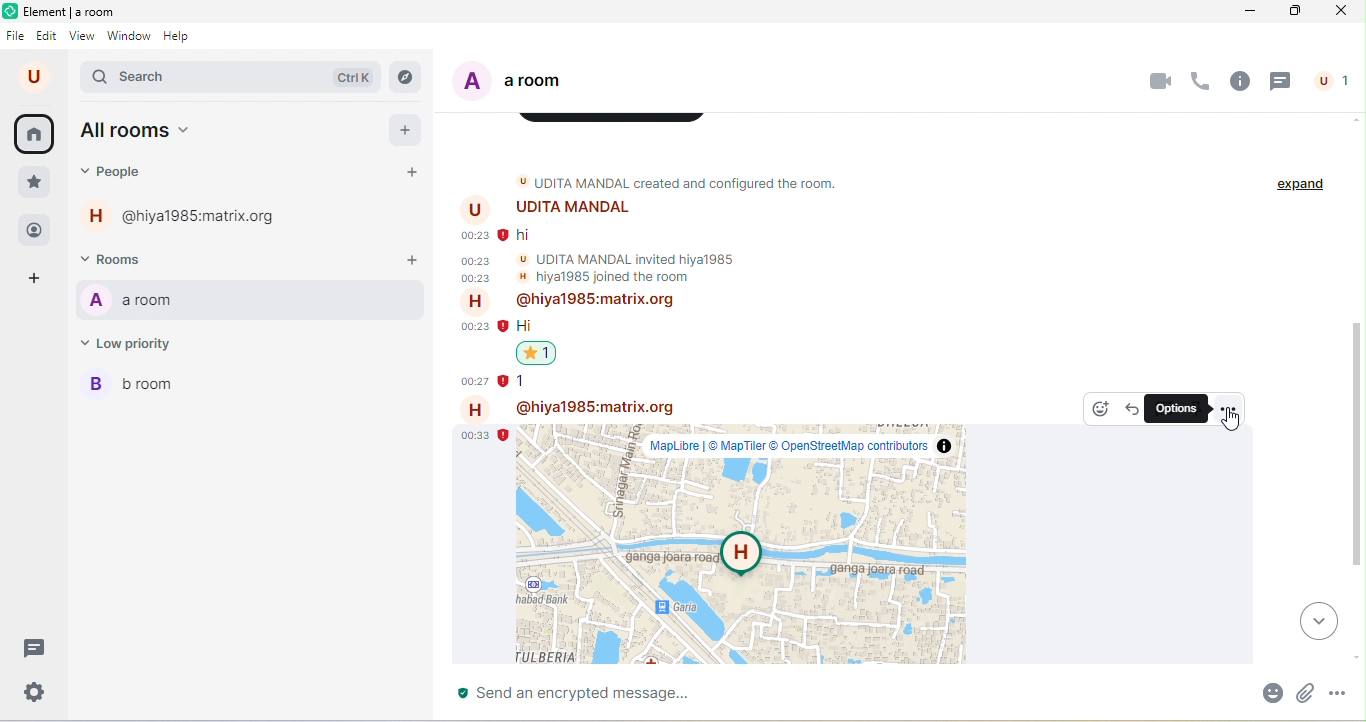 Image resolution: width=1366 pixels, height=722 pixels. I want to click on hiya 1985, so click(183, 215).